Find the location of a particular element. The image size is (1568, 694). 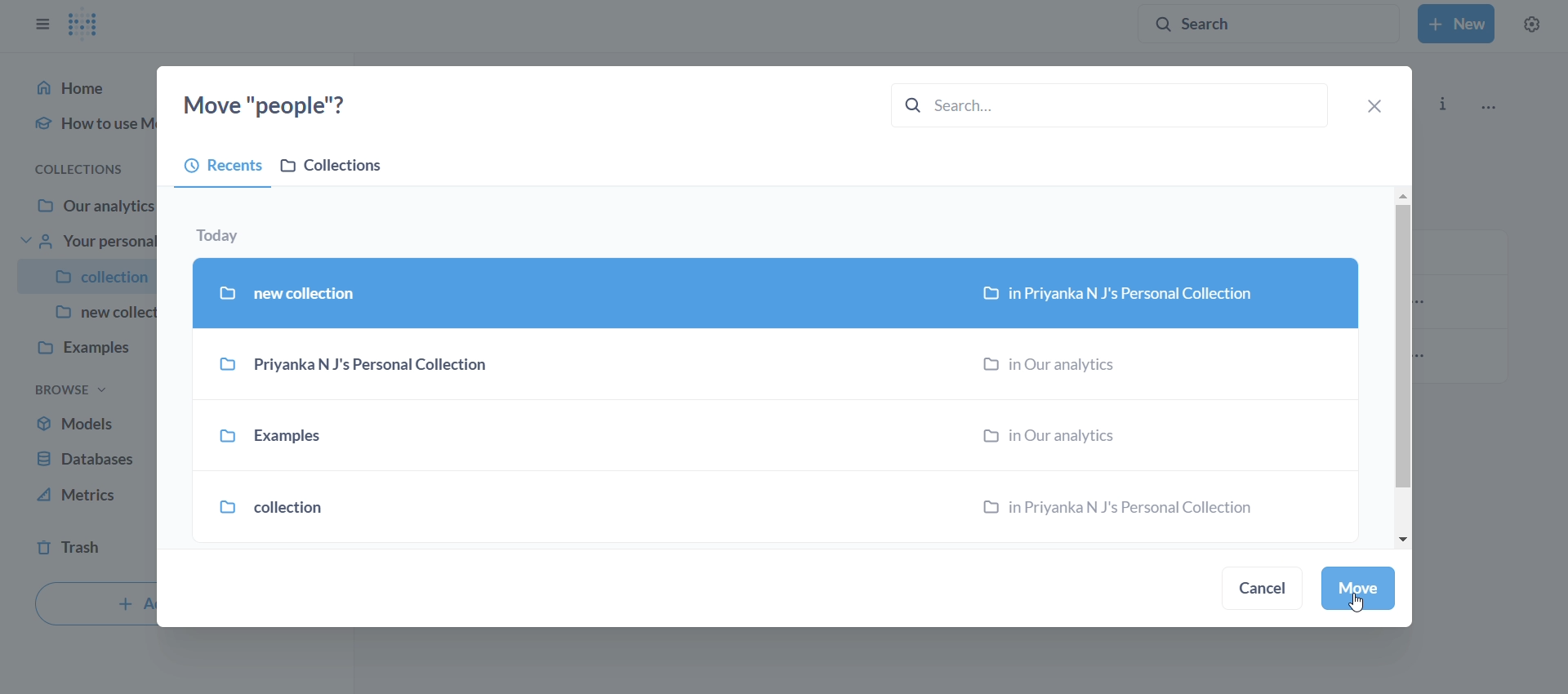

search is located at coordinates (1111, 105).